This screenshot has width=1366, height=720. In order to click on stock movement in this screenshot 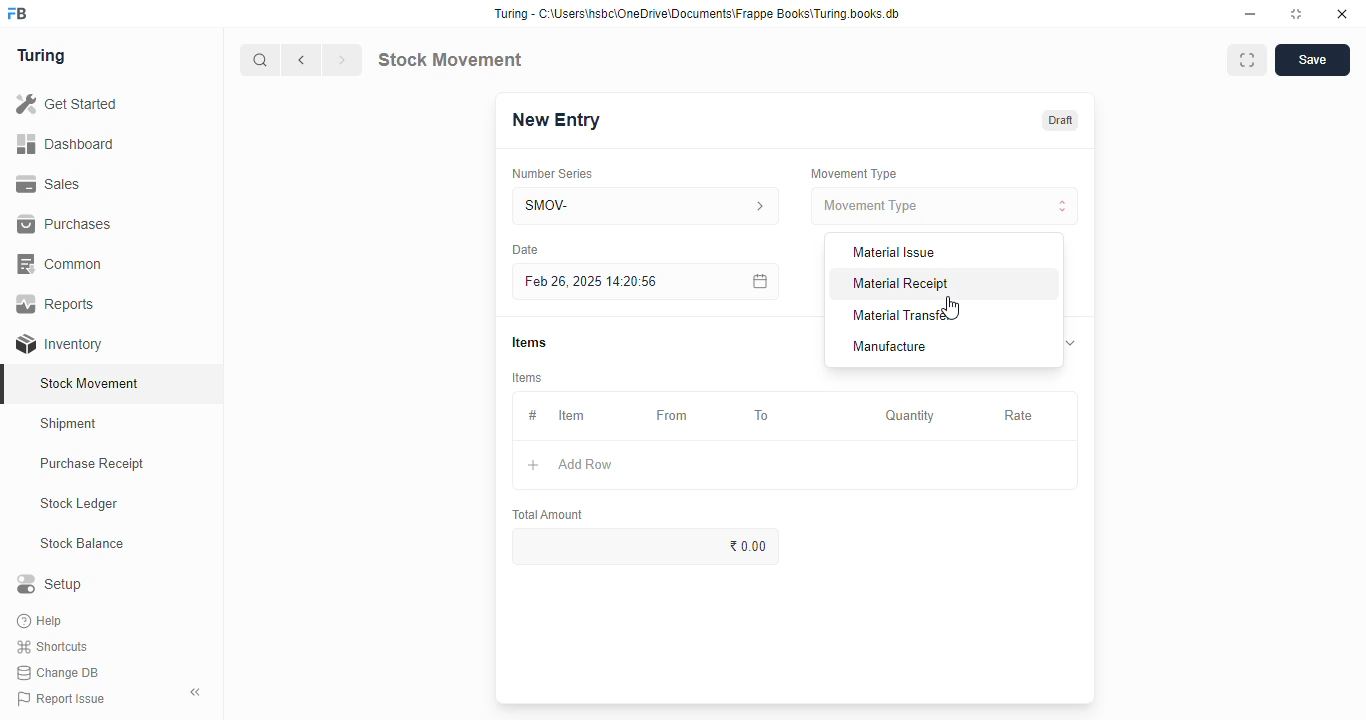, I will do `click(449, 59)`.